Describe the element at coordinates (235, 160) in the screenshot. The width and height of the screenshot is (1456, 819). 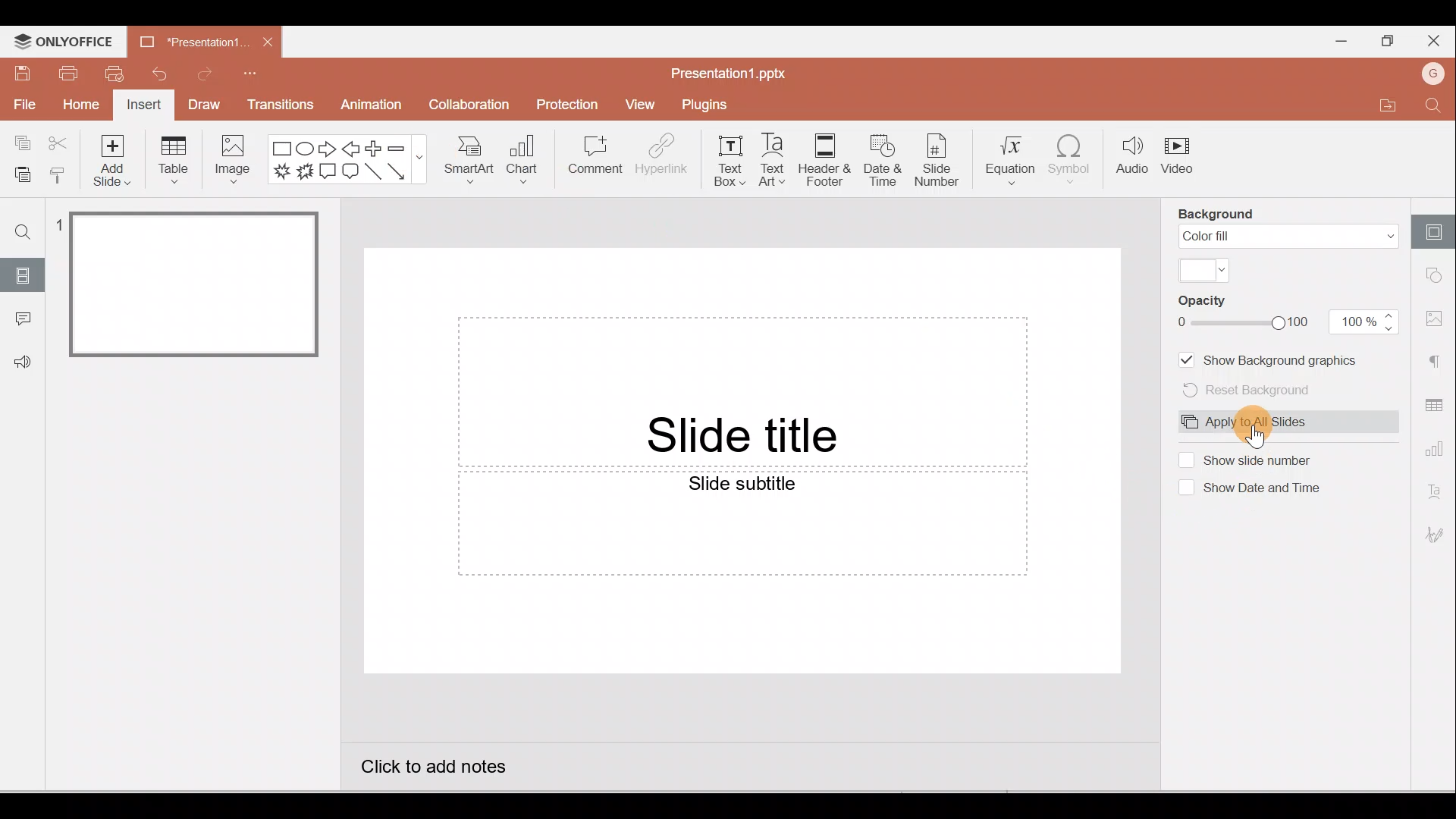
I see `Image` at that location.